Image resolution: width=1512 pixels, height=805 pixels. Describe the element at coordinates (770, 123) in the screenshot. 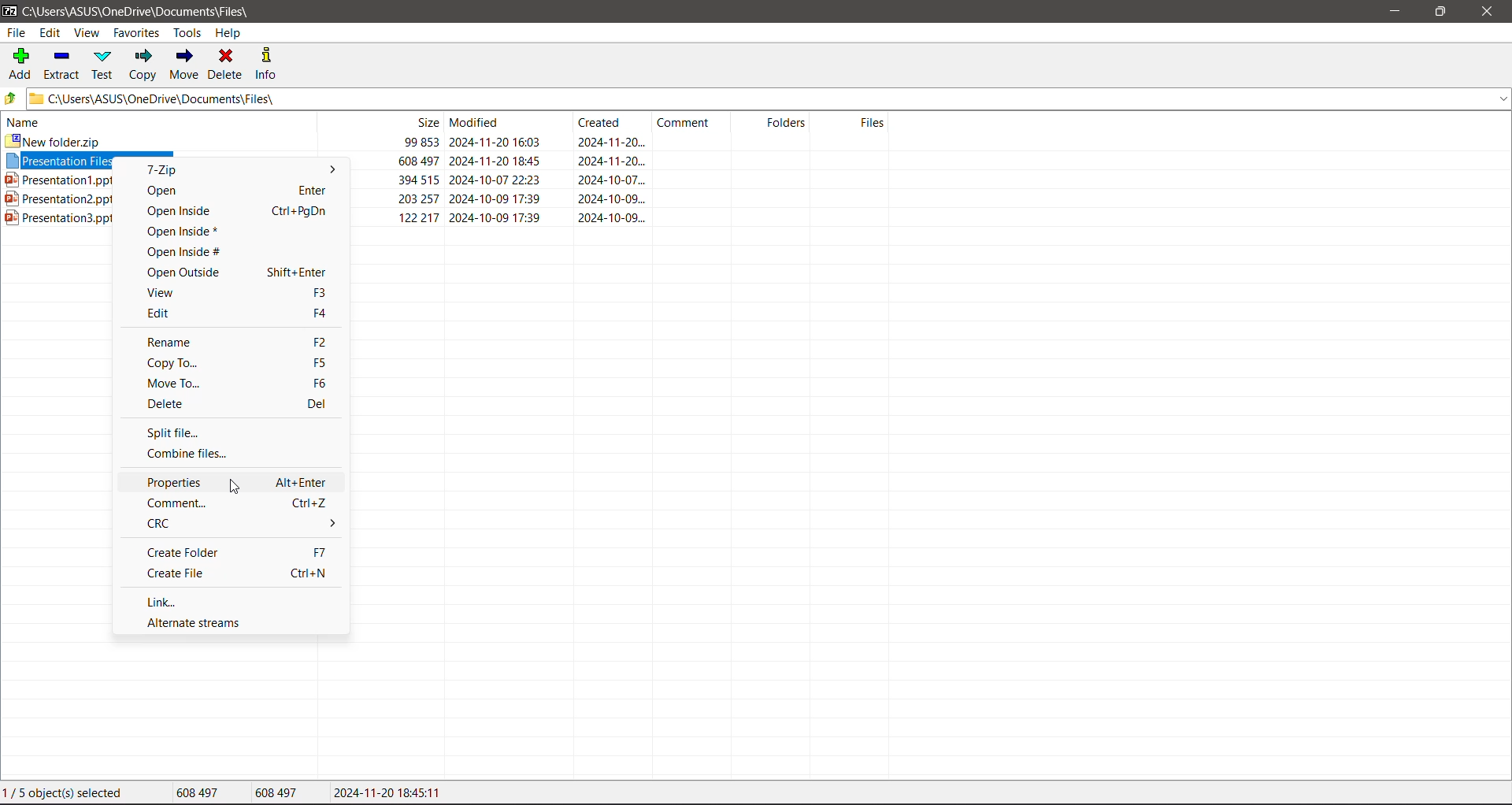

I see `Folders` at that location.